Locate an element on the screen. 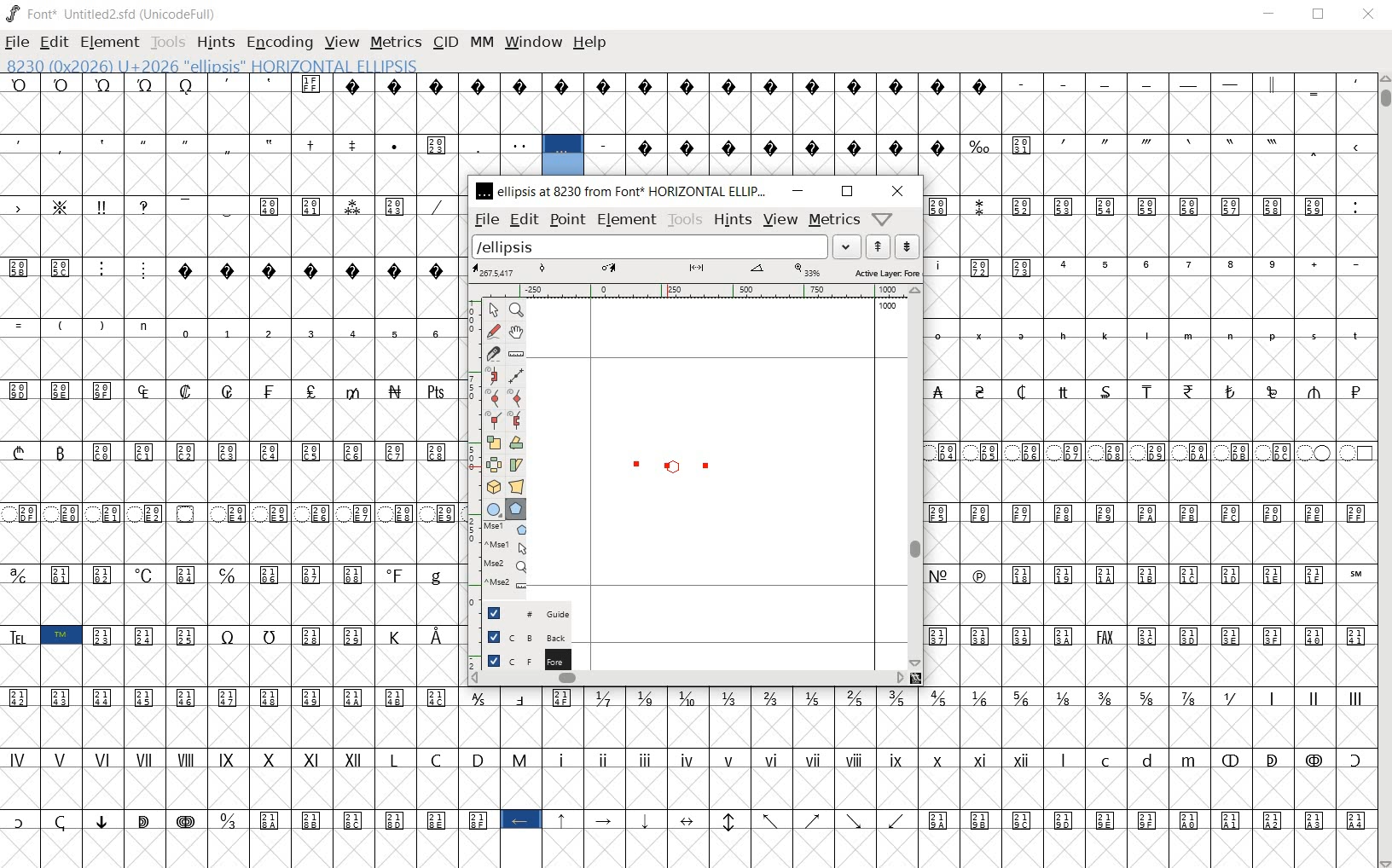  POINTER is located at coordinates (497, 310).